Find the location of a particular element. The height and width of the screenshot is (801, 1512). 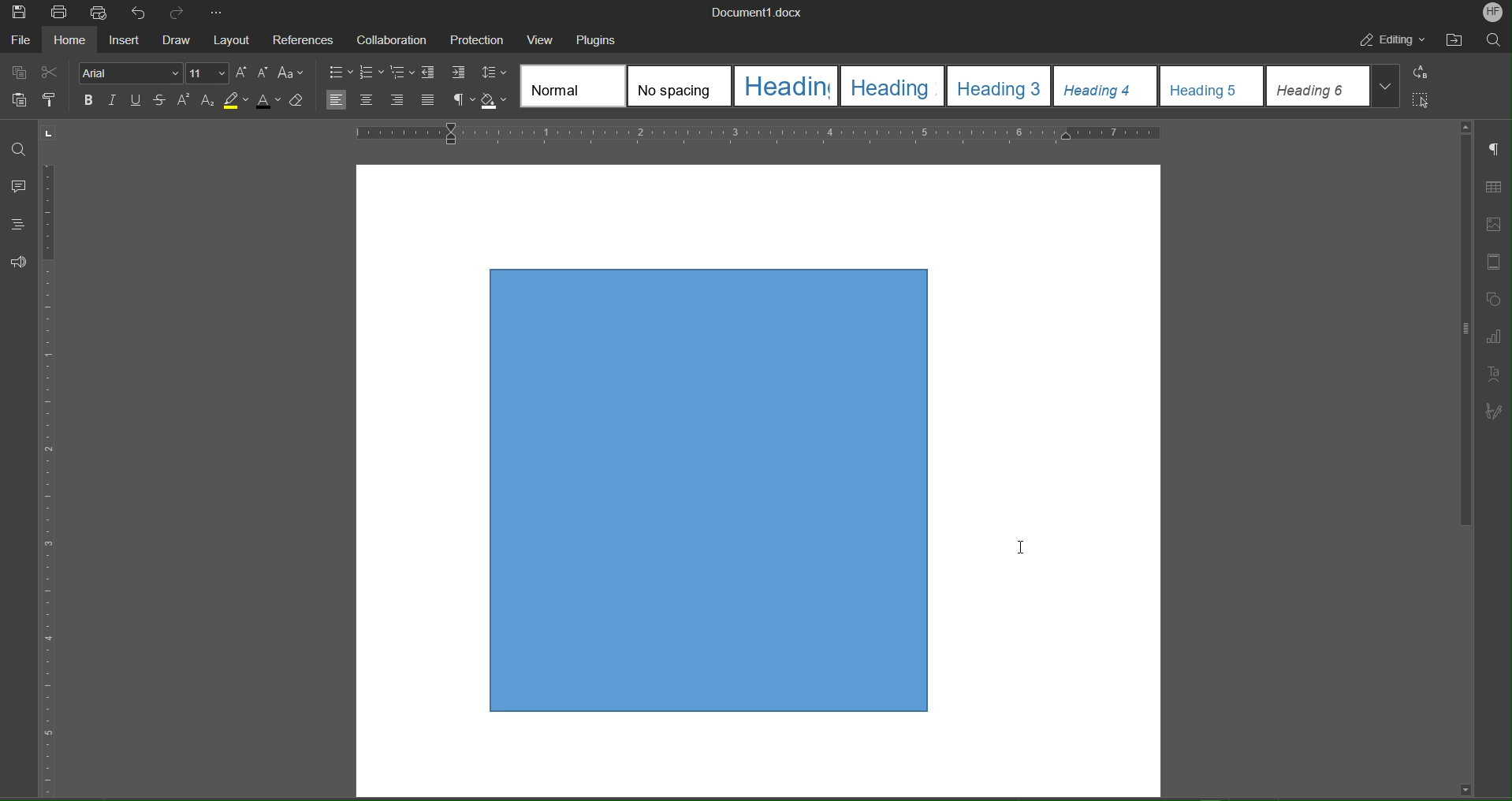

Text Color is located at coordinates (268, 102).